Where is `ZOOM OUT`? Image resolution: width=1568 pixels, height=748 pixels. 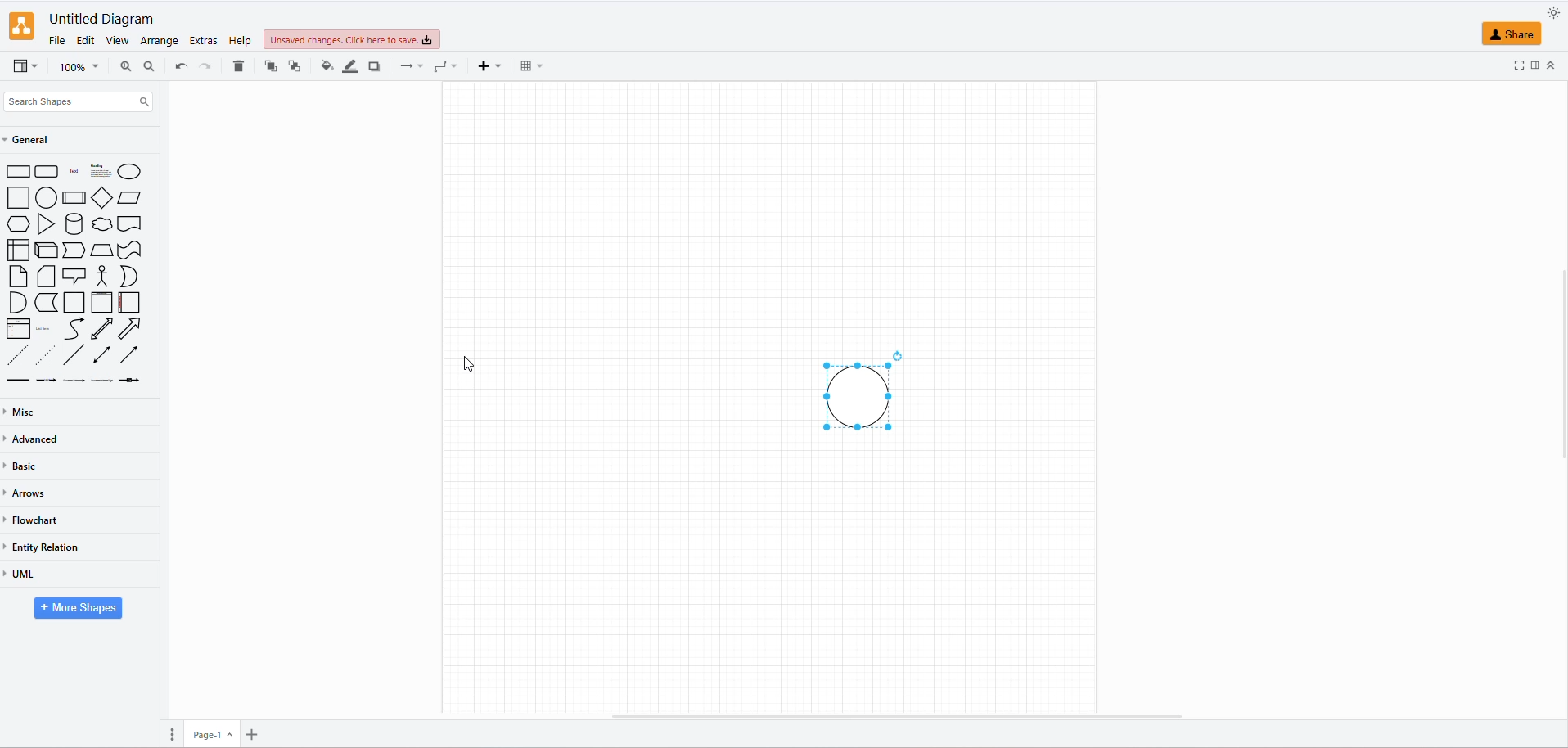 ZOOM OUT is located at coordinates (148, 65).